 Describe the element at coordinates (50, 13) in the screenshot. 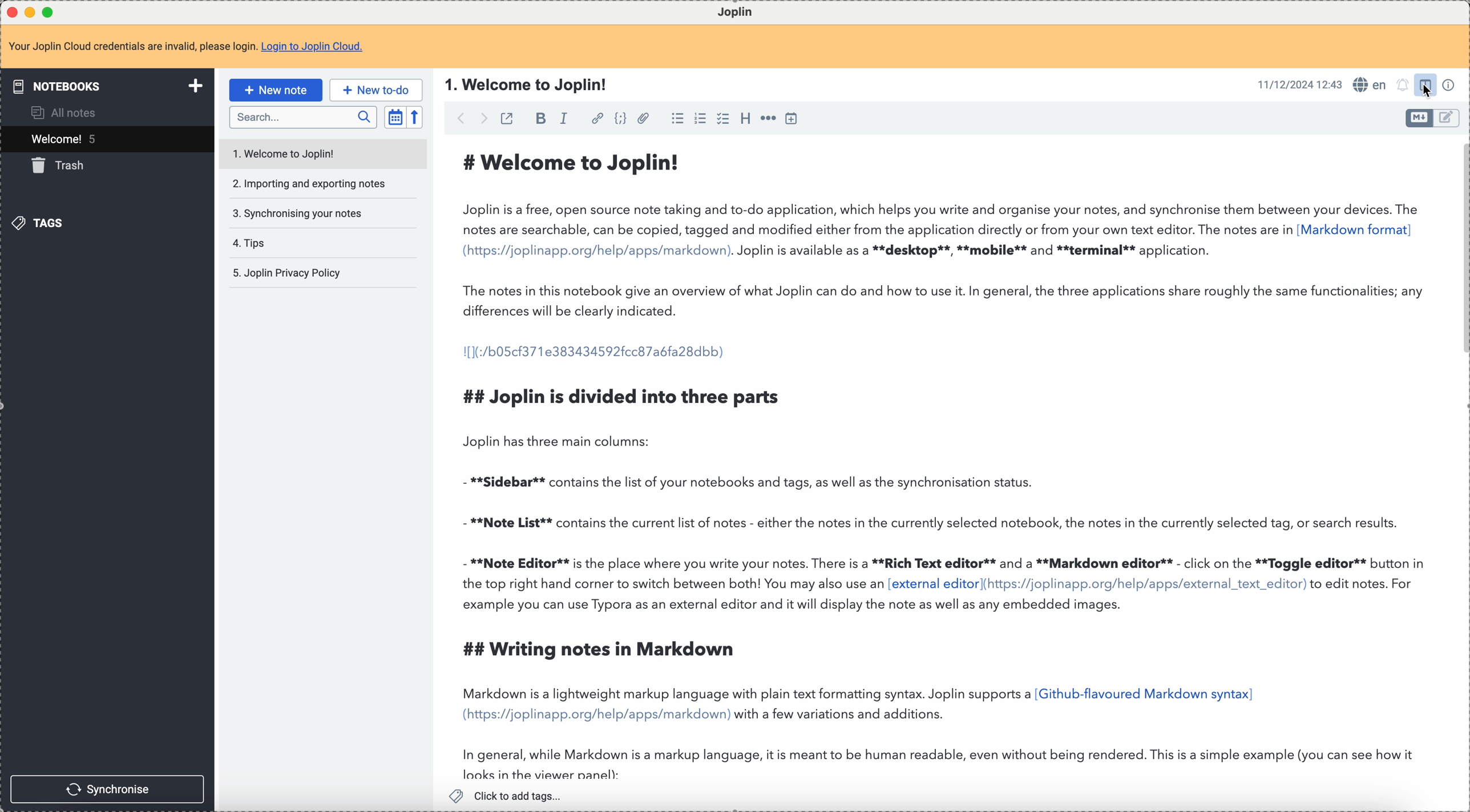

I see `maximize` at that location.